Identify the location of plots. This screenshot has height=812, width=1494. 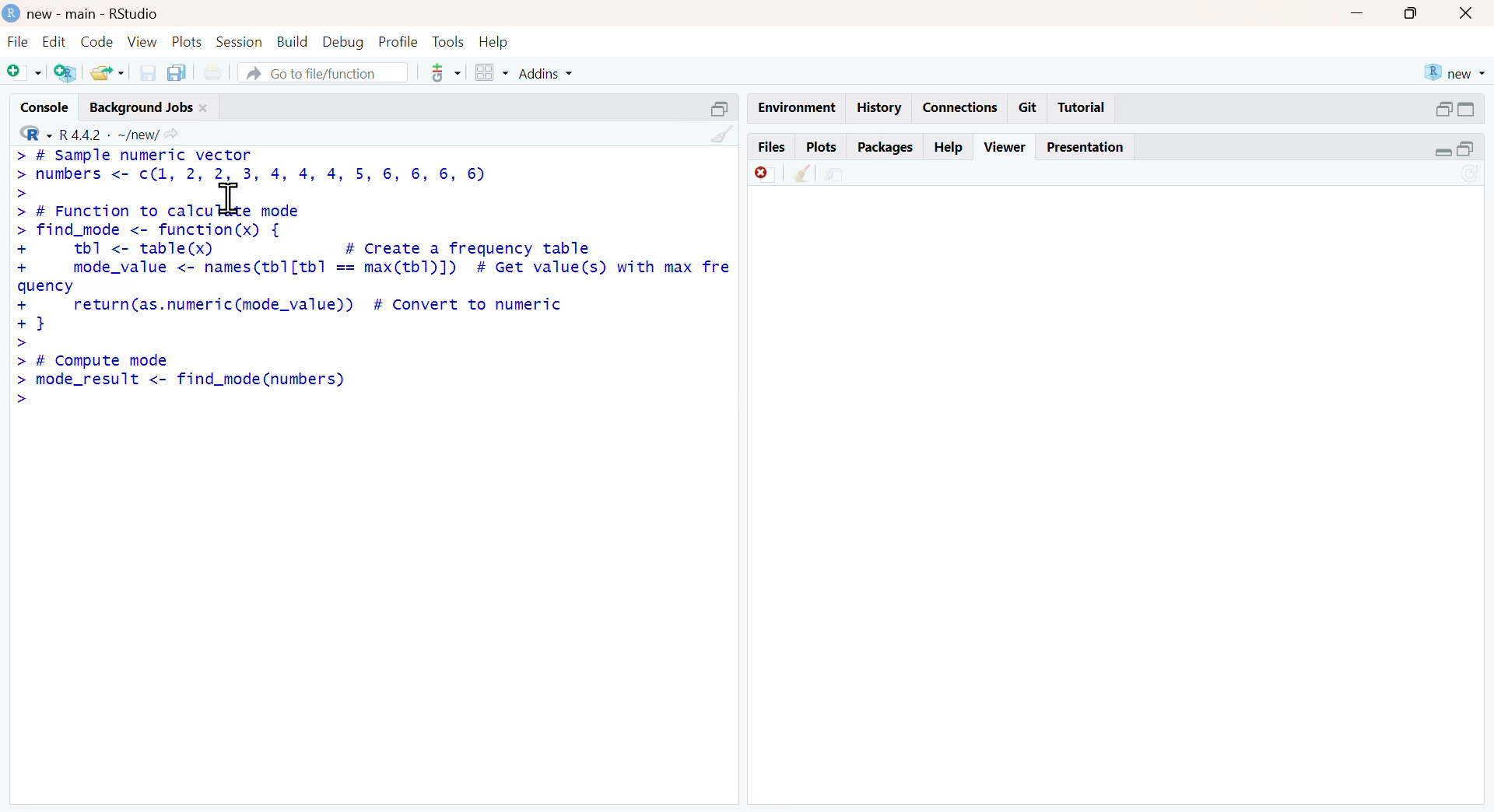
(188, 41).